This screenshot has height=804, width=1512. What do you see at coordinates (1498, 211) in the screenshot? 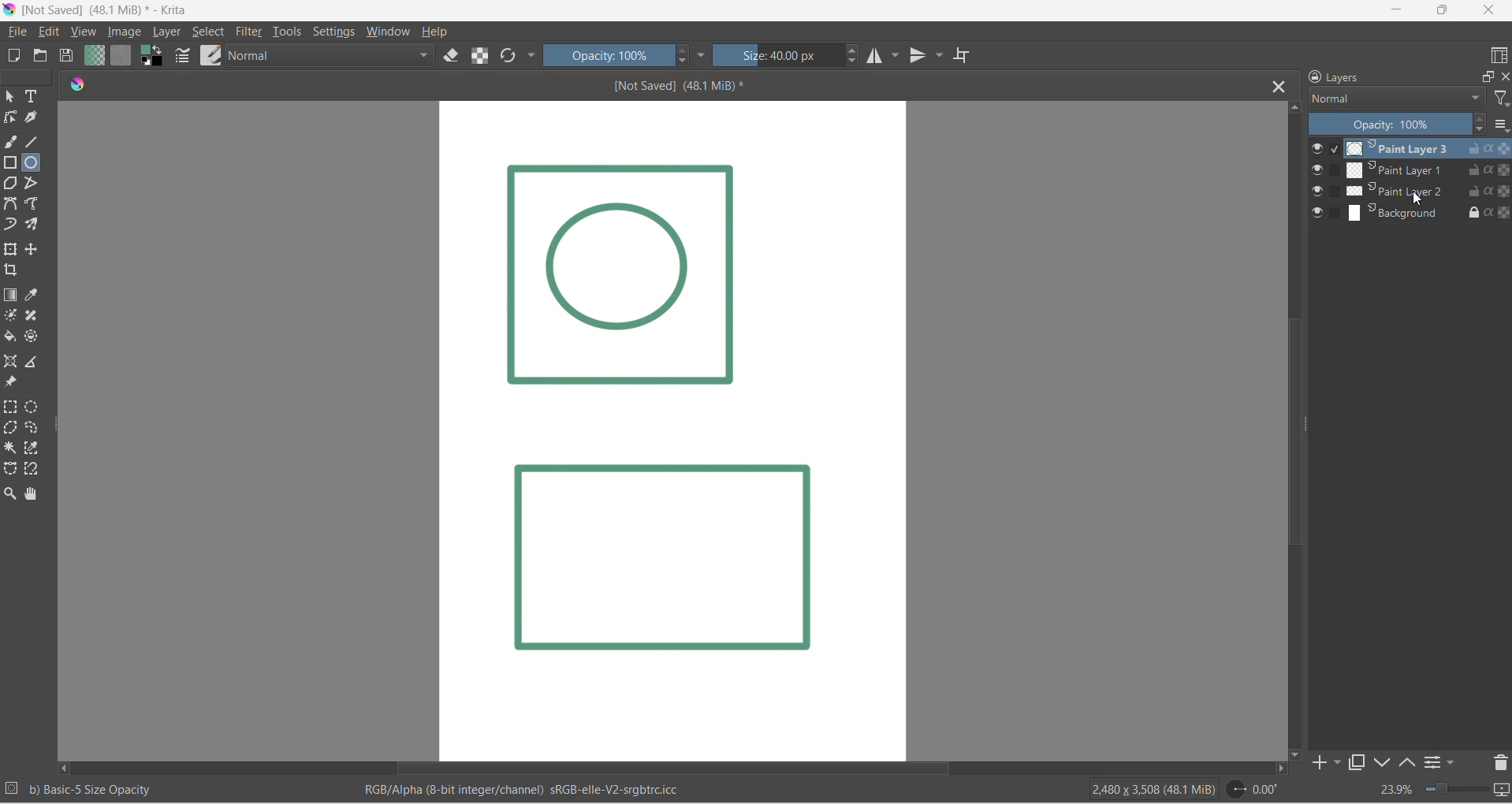
I see `preserve alpha` at bounding box center [1498, 211].